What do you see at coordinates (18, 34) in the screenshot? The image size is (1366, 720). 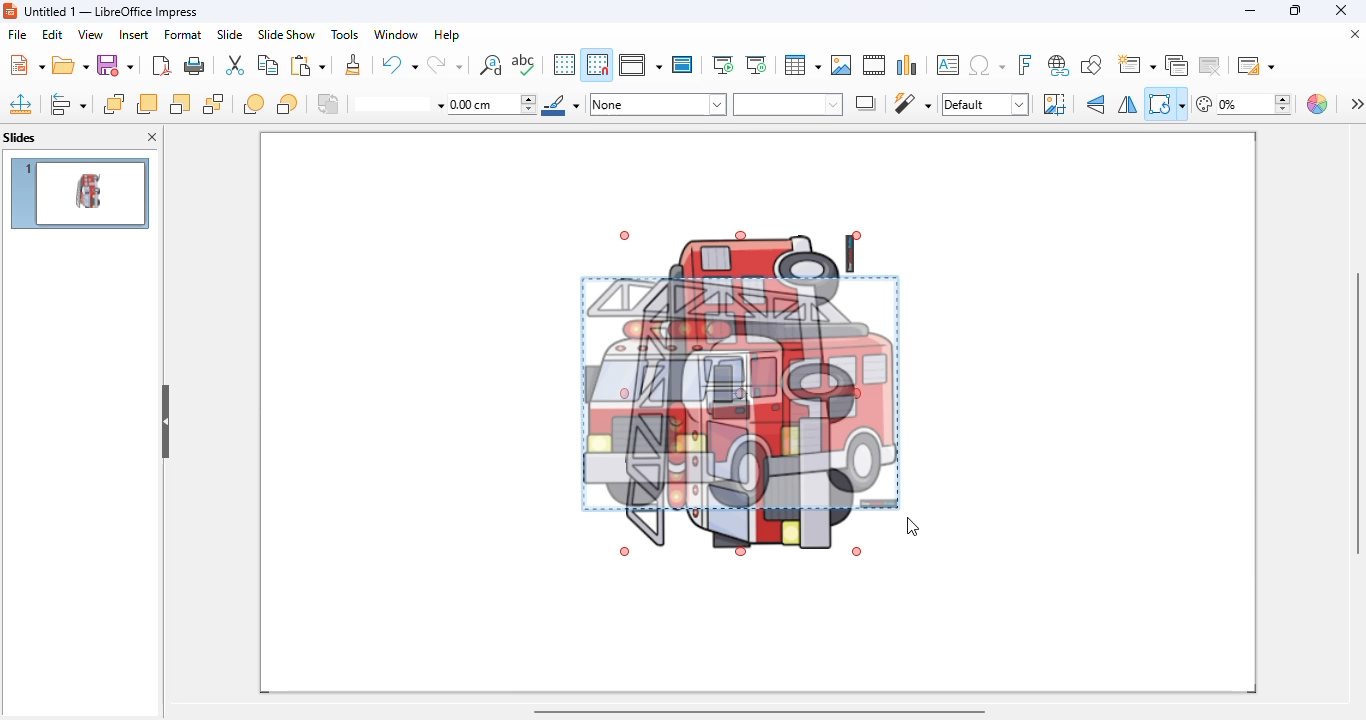 I see `file` at bounding box center [18, 34].